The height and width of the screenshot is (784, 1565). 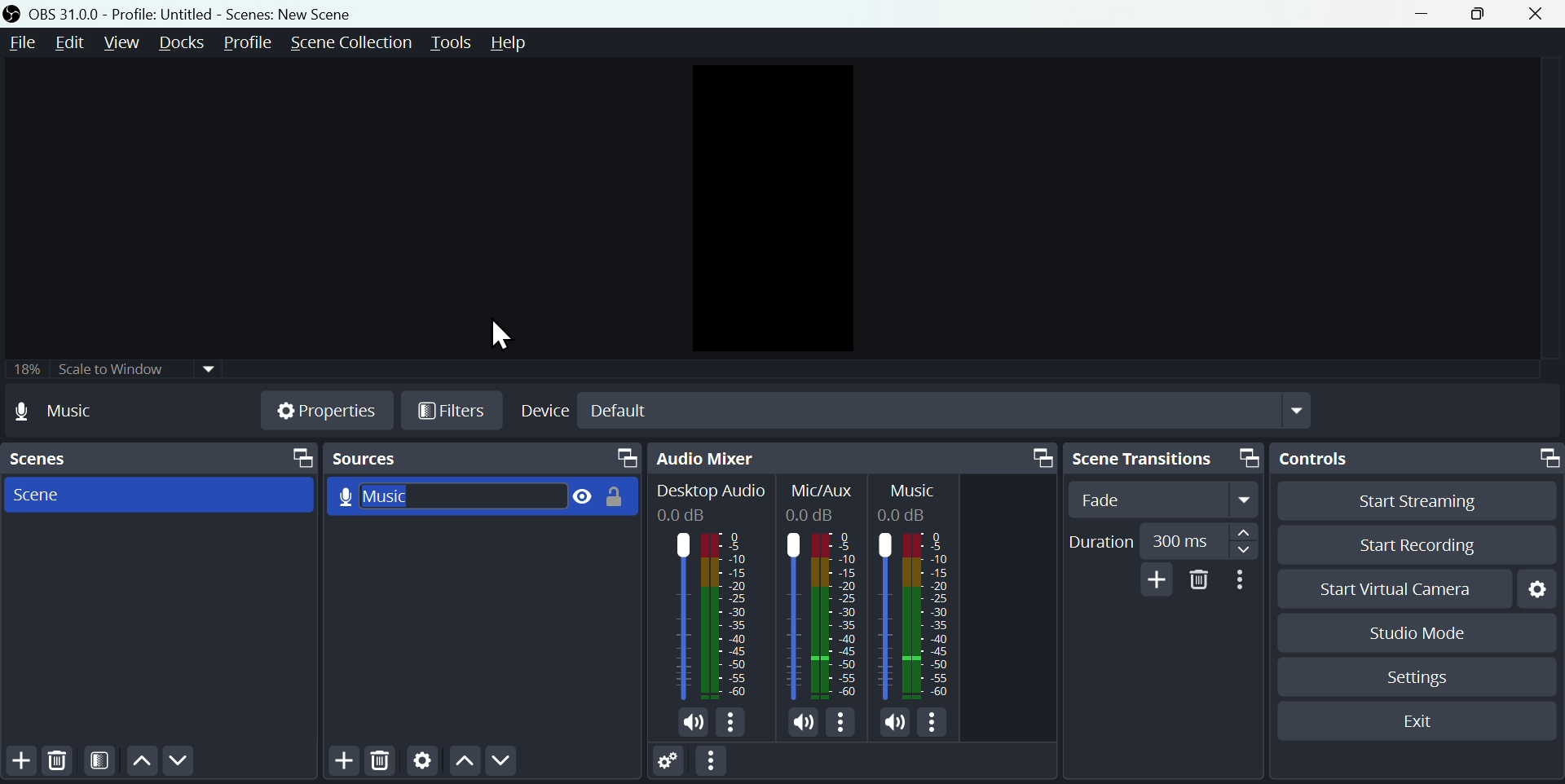 What do you see at coordinates (184, 12) in the screenshot?
I see `OBS 31.0 .0 profile: untitled= scenes: new scene` at bounding box center [184, 12].